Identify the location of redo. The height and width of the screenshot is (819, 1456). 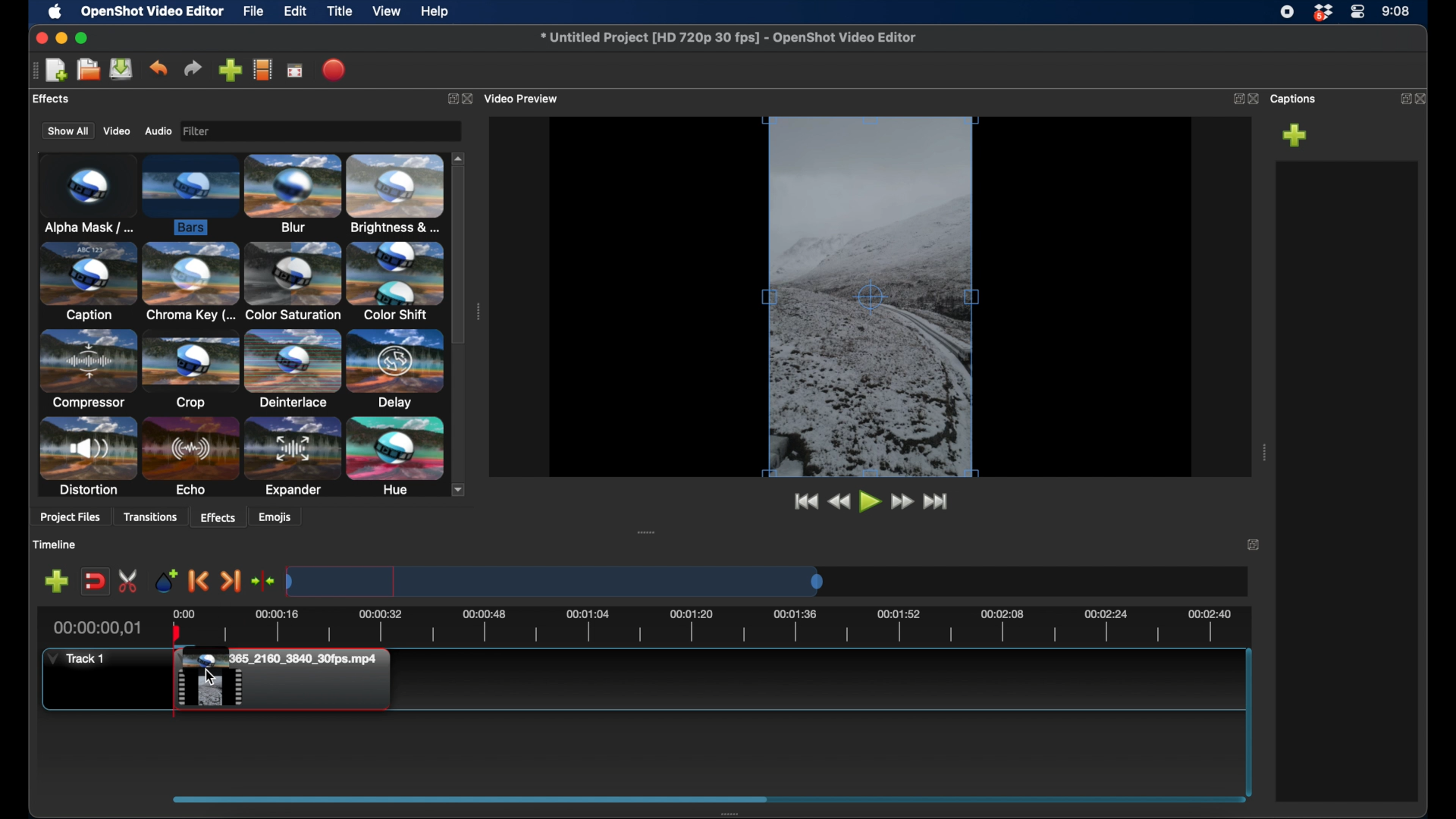
(193, 68).